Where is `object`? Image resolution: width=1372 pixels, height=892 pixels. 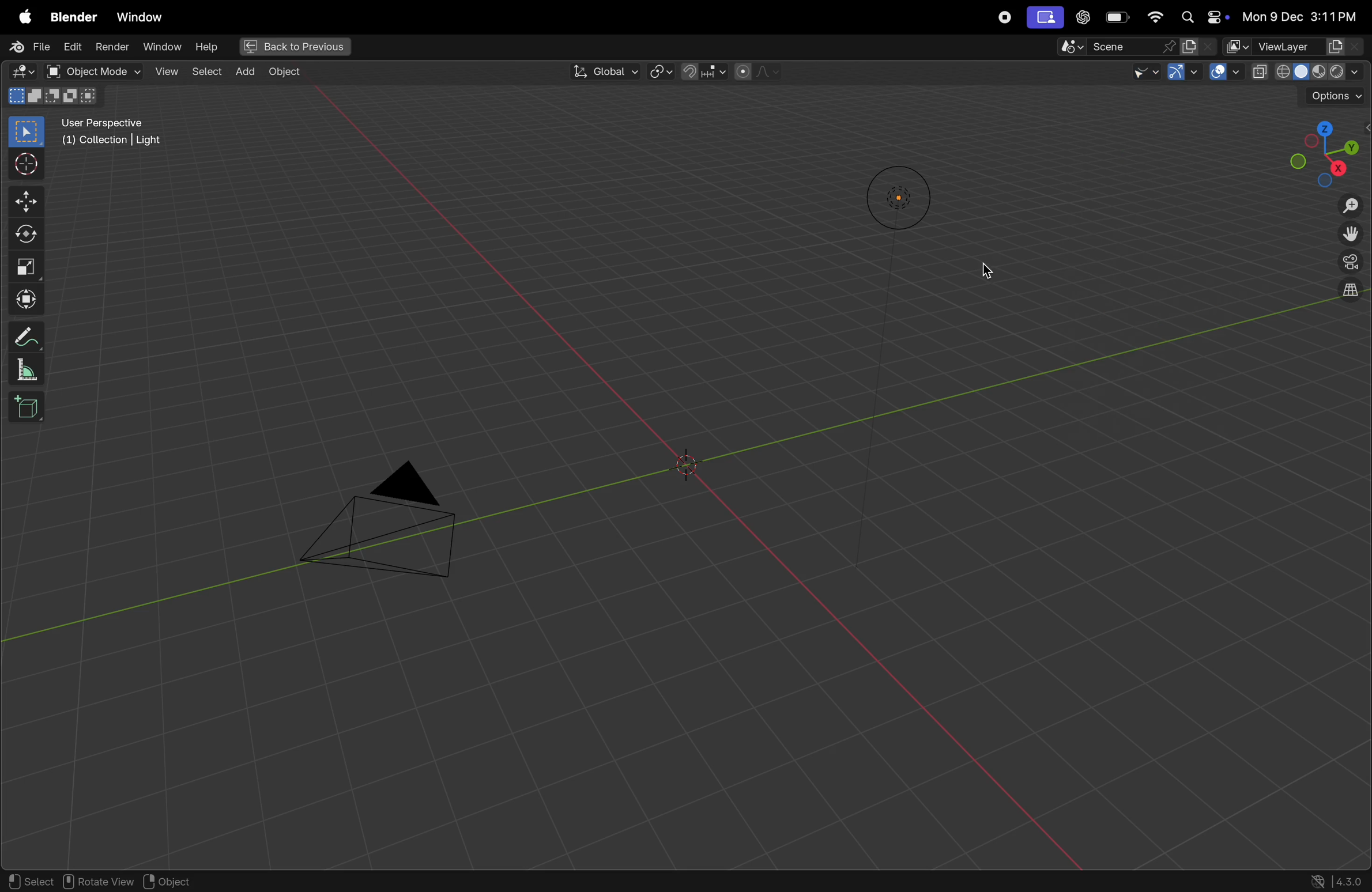 object is located at coordinates (284, 74).